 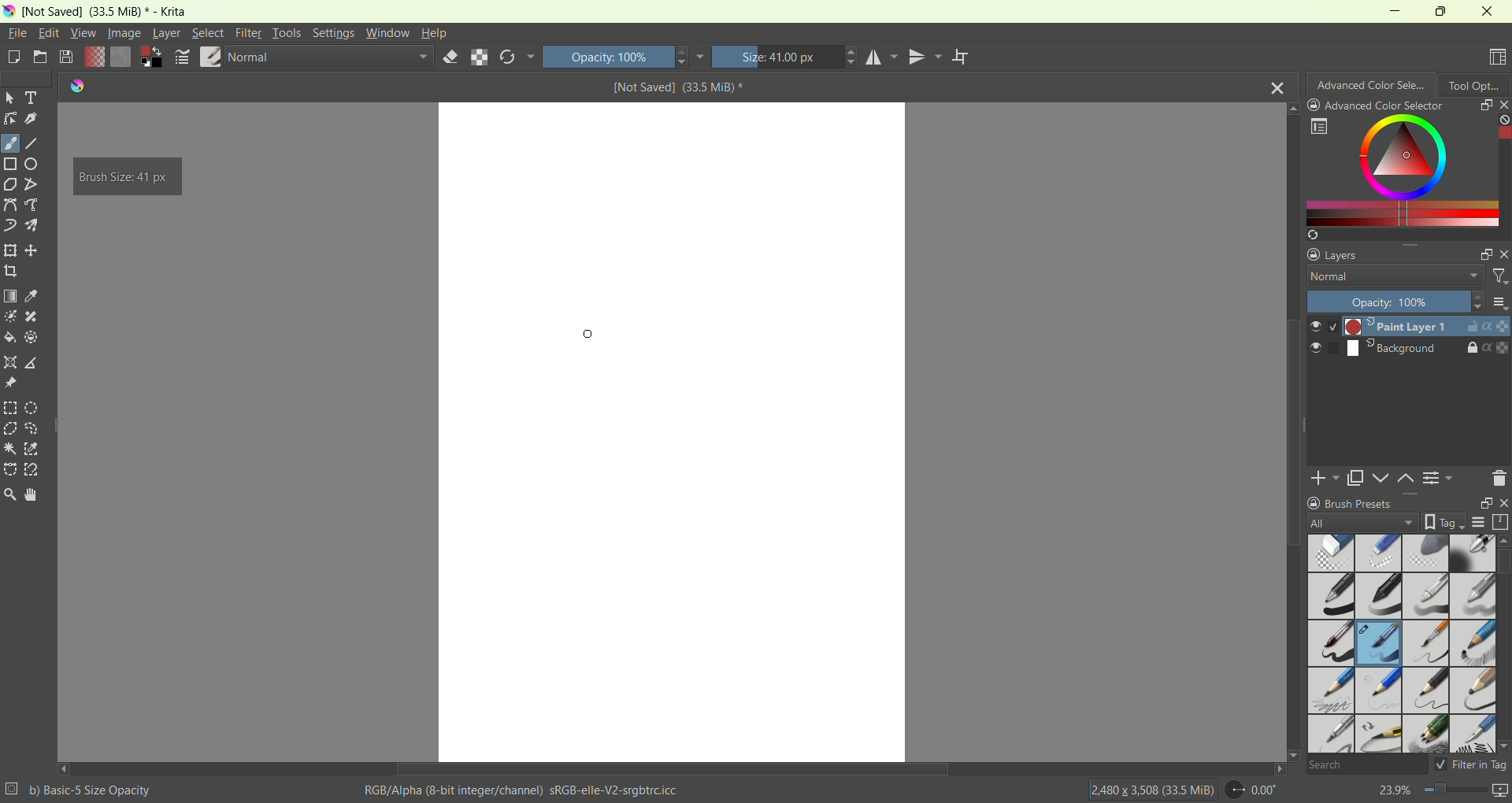 What do you see at coordinates (1488, 11) in the screenshot?
I see `close` at bounding box center [1488, 11].